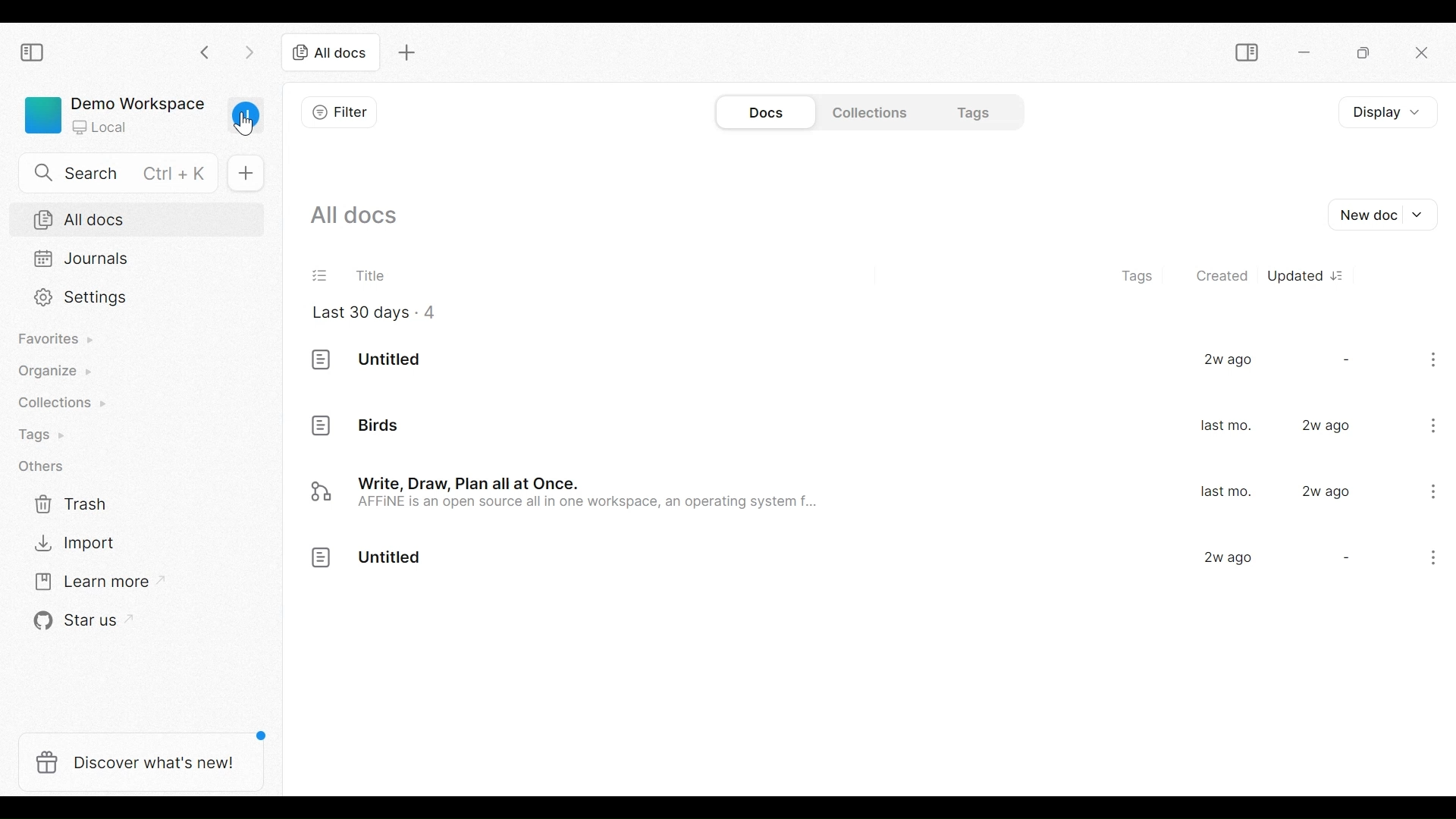 The height and width of the screenshot is (819, 1456). I want to click on 2w ago, so click(1329, 426).